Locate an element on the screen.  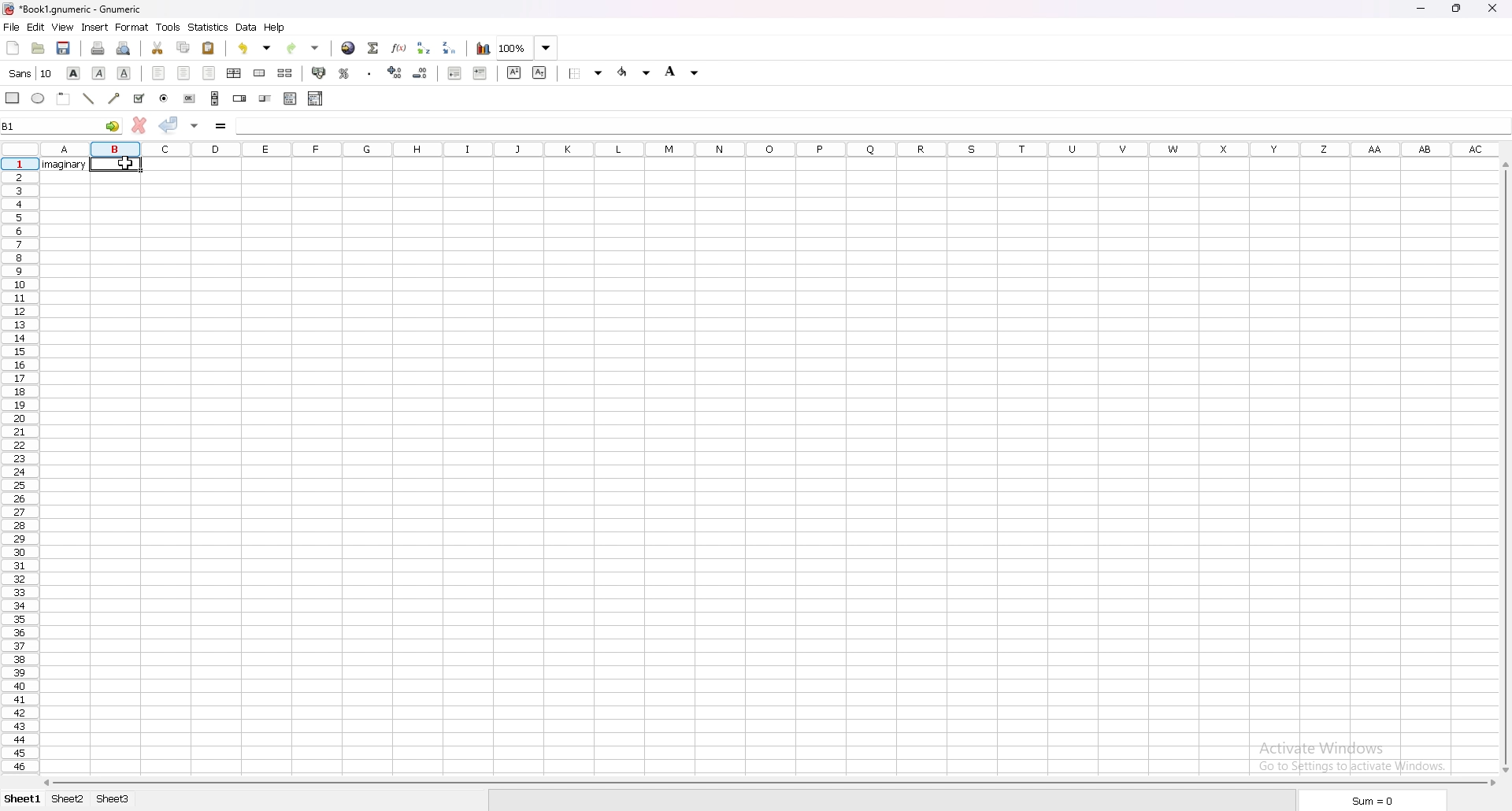
bold is located at coordinates (73, 73).